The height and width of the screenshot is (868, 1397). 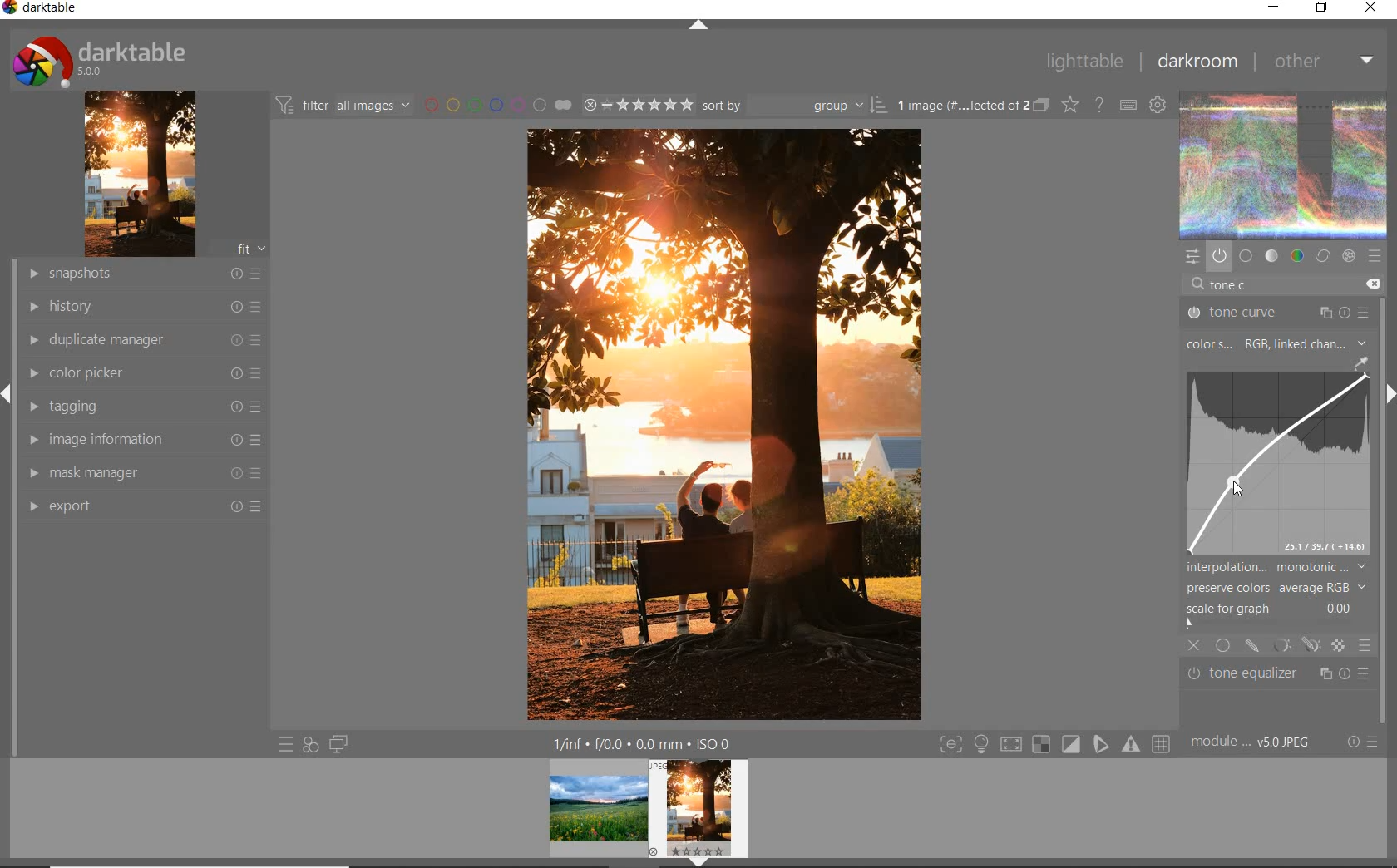 I want to click on COLOR SPACE, so click(x=1211, y=345).